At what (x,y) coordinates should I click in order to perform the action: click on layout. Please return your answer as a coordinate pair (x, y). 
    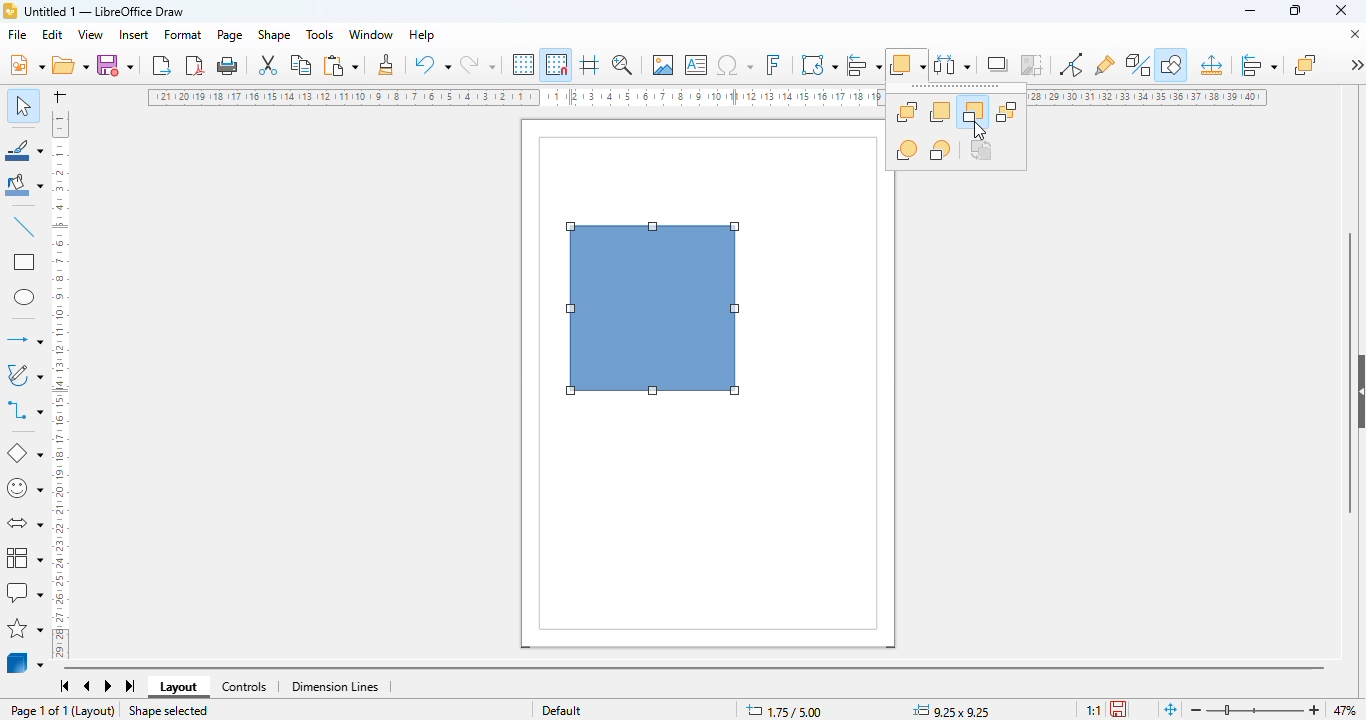
    Looking at the image, I should click on (179, 687).